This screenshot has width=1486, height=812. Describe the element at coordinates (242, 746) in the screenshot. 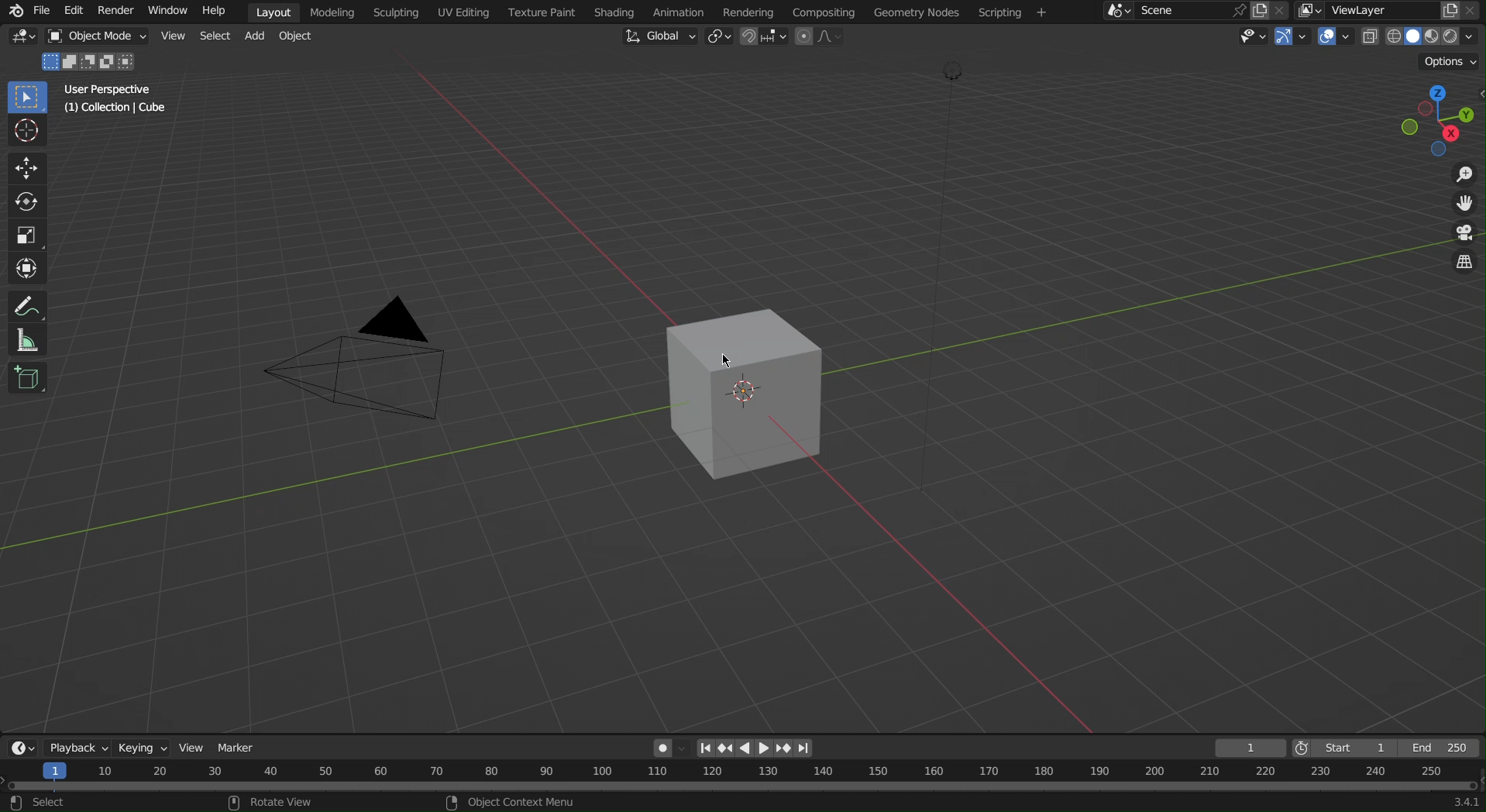

I see `Marker` at that location.